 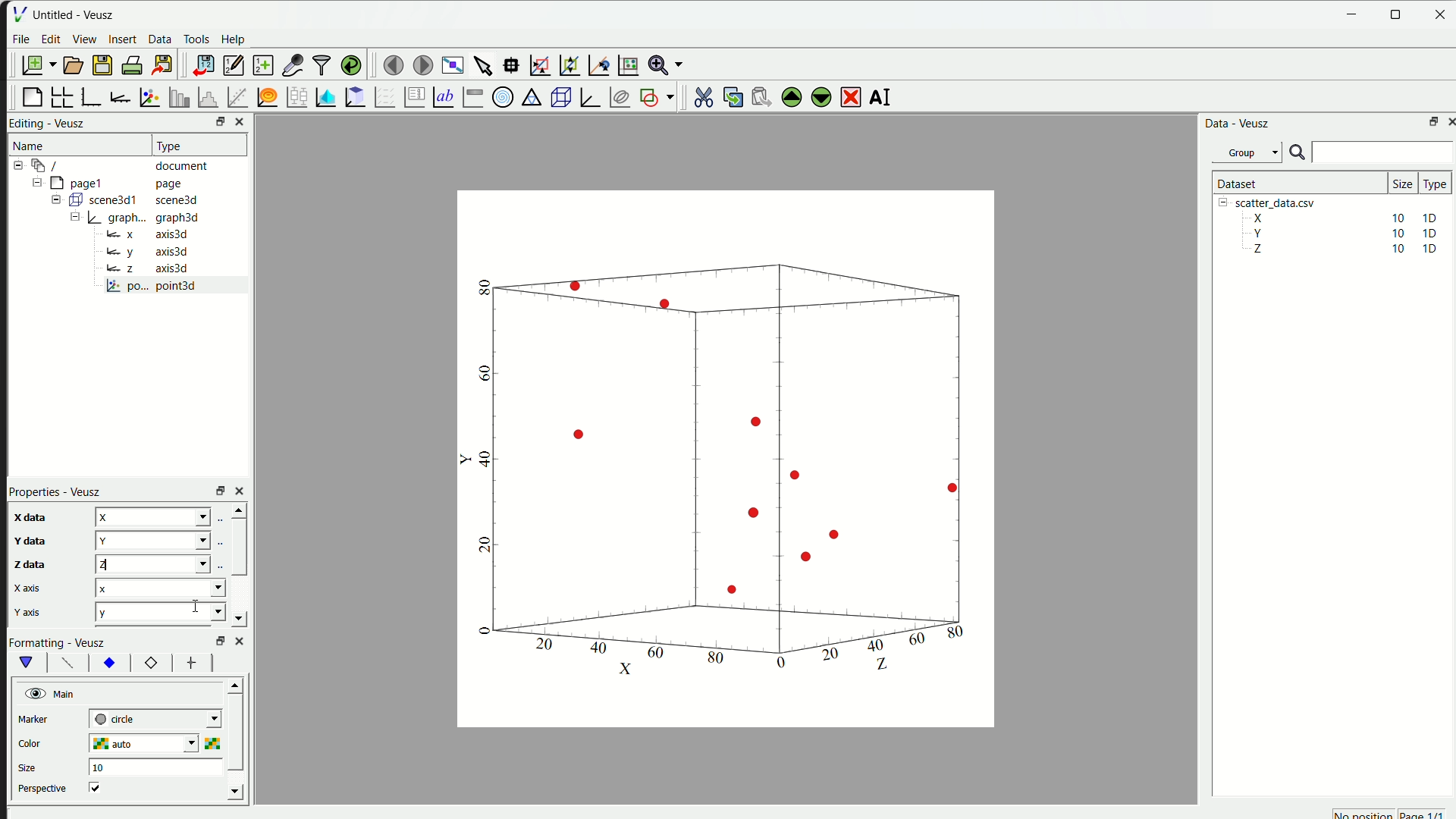 I want to click on left right button, so click(x=234, y=663).